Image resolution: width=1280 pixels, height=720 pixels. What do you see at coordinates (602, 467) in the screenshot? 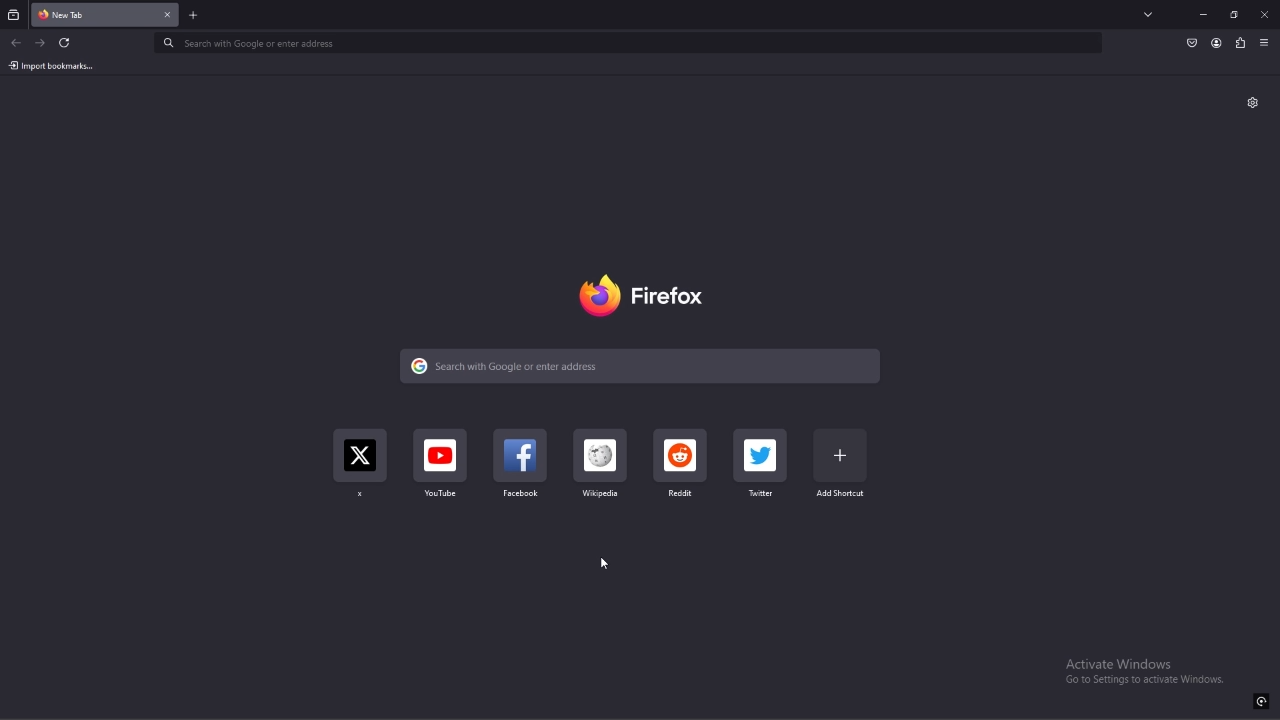
I see `wikipedia` at bounding box center [602, 467].